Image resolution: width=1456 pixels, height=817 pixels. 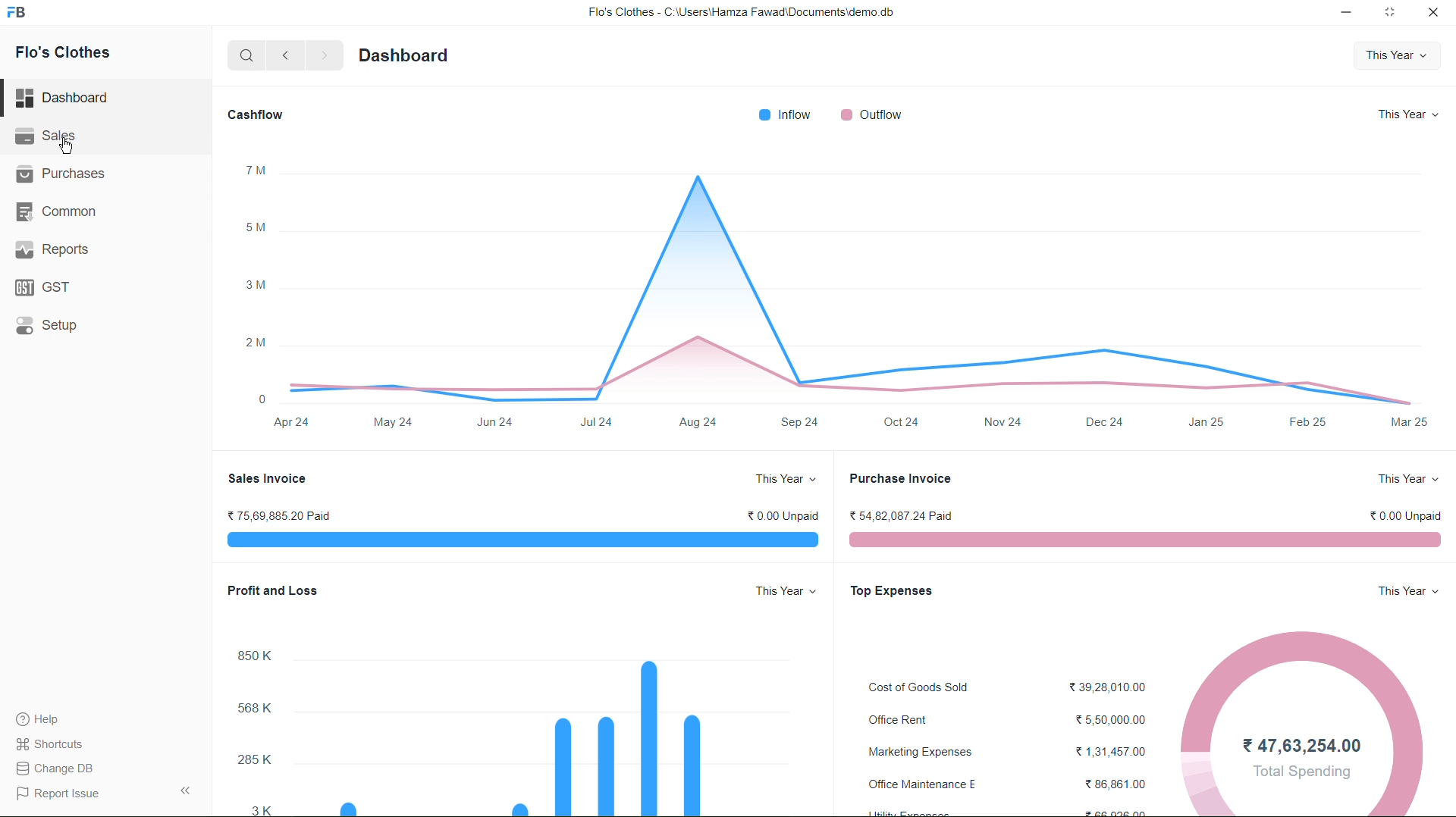 What do you see at coordinates (253, 168) in the screenshot?
I see `7M` at bounding box center [253, 168].